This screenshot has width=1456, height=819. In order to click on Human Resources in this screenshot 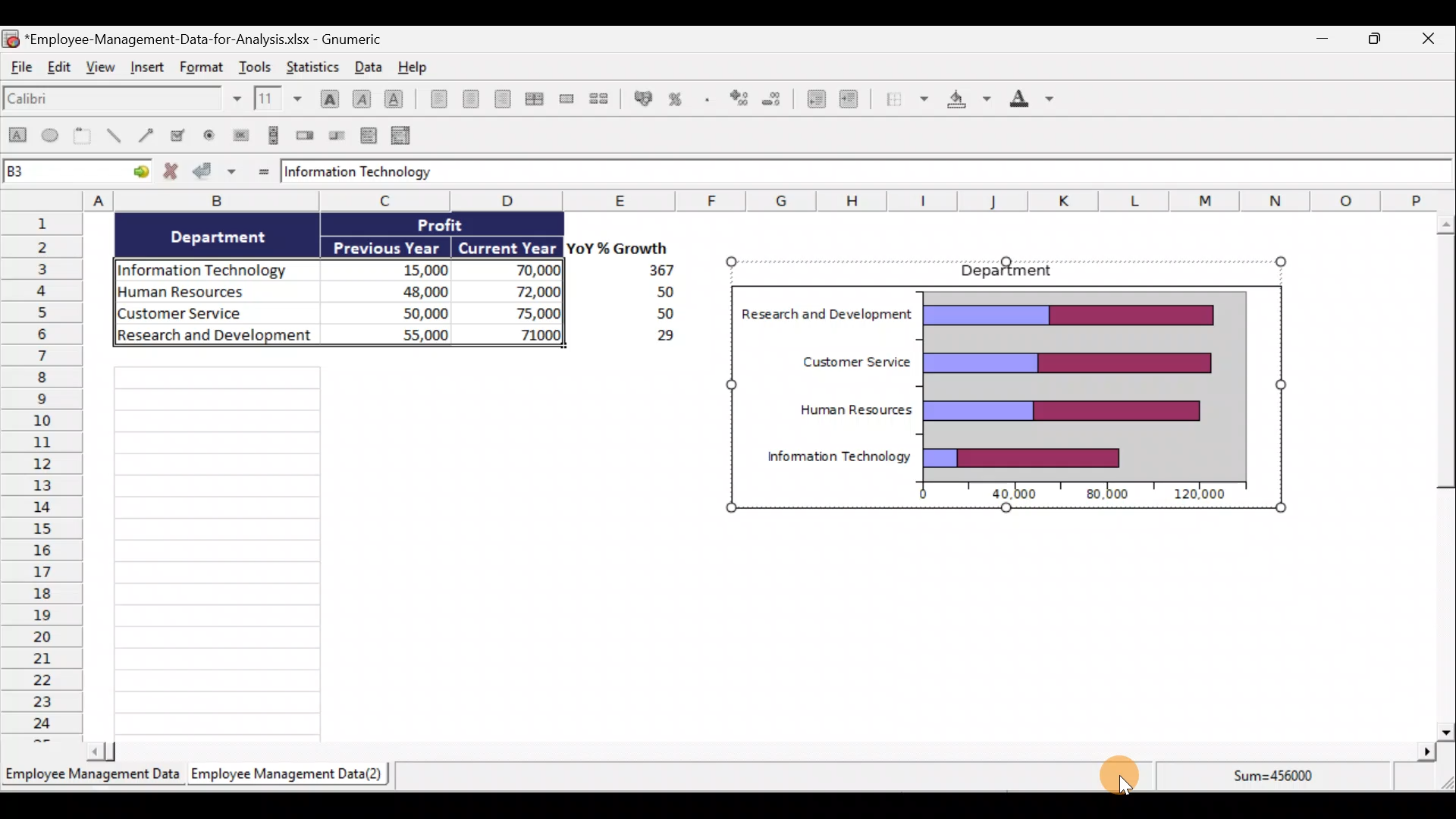, I will do `click(211, 293)`.